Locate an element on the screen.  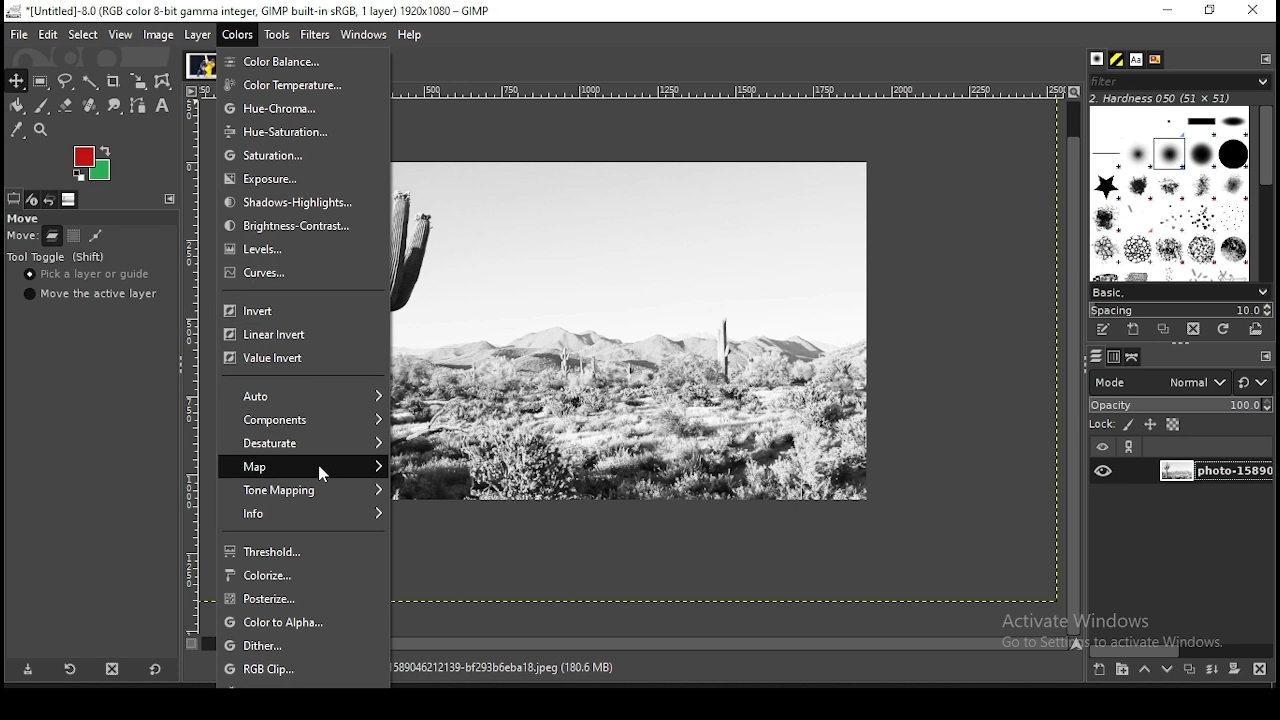
save tool preset is located at coordinates (26, 670).